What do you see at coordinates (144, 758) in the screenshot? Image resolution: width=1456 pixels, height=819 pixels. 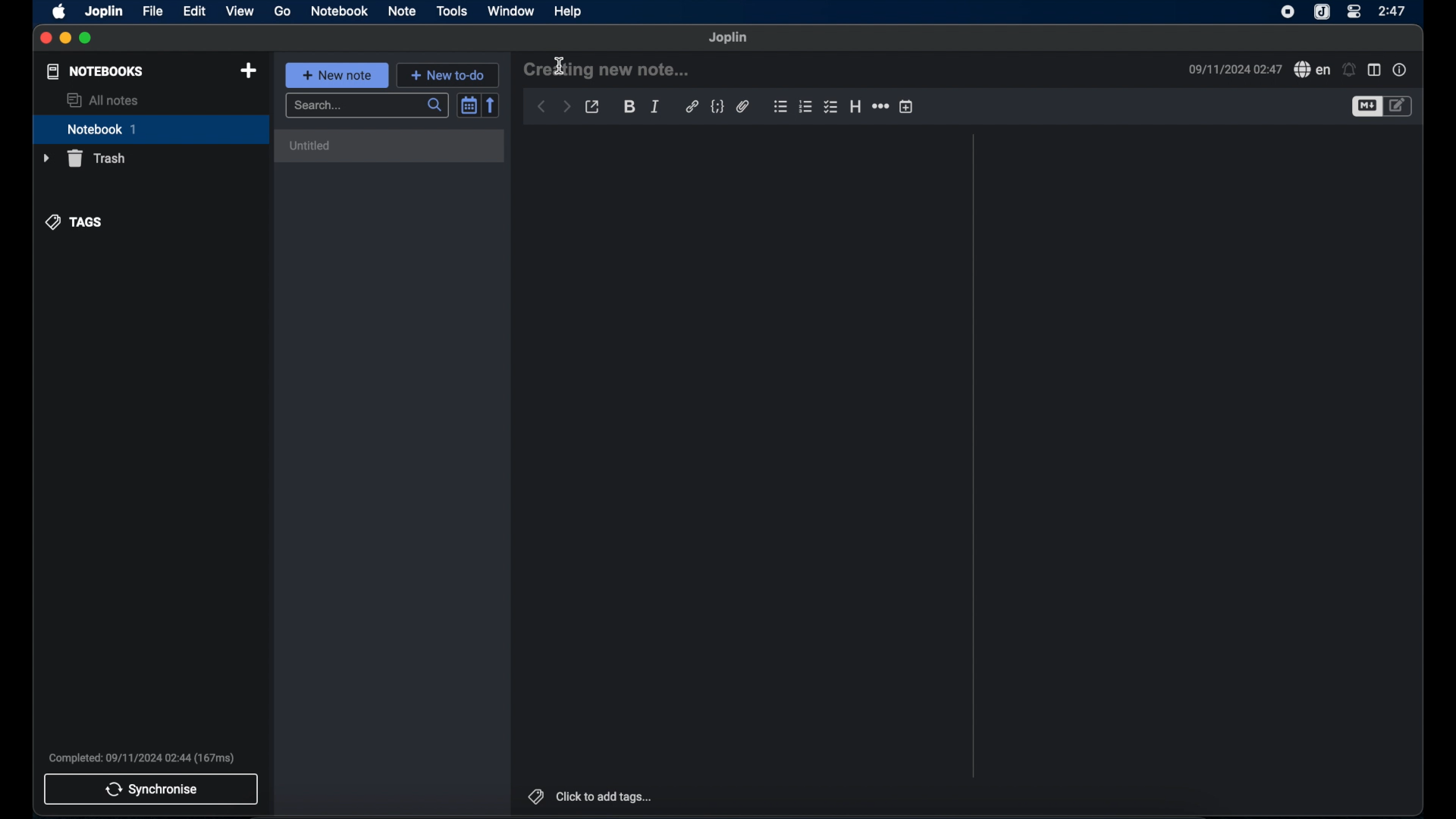 I see `Completed: 09/11/2024 02:44 (167ms)` at bounding box center [144, 758].